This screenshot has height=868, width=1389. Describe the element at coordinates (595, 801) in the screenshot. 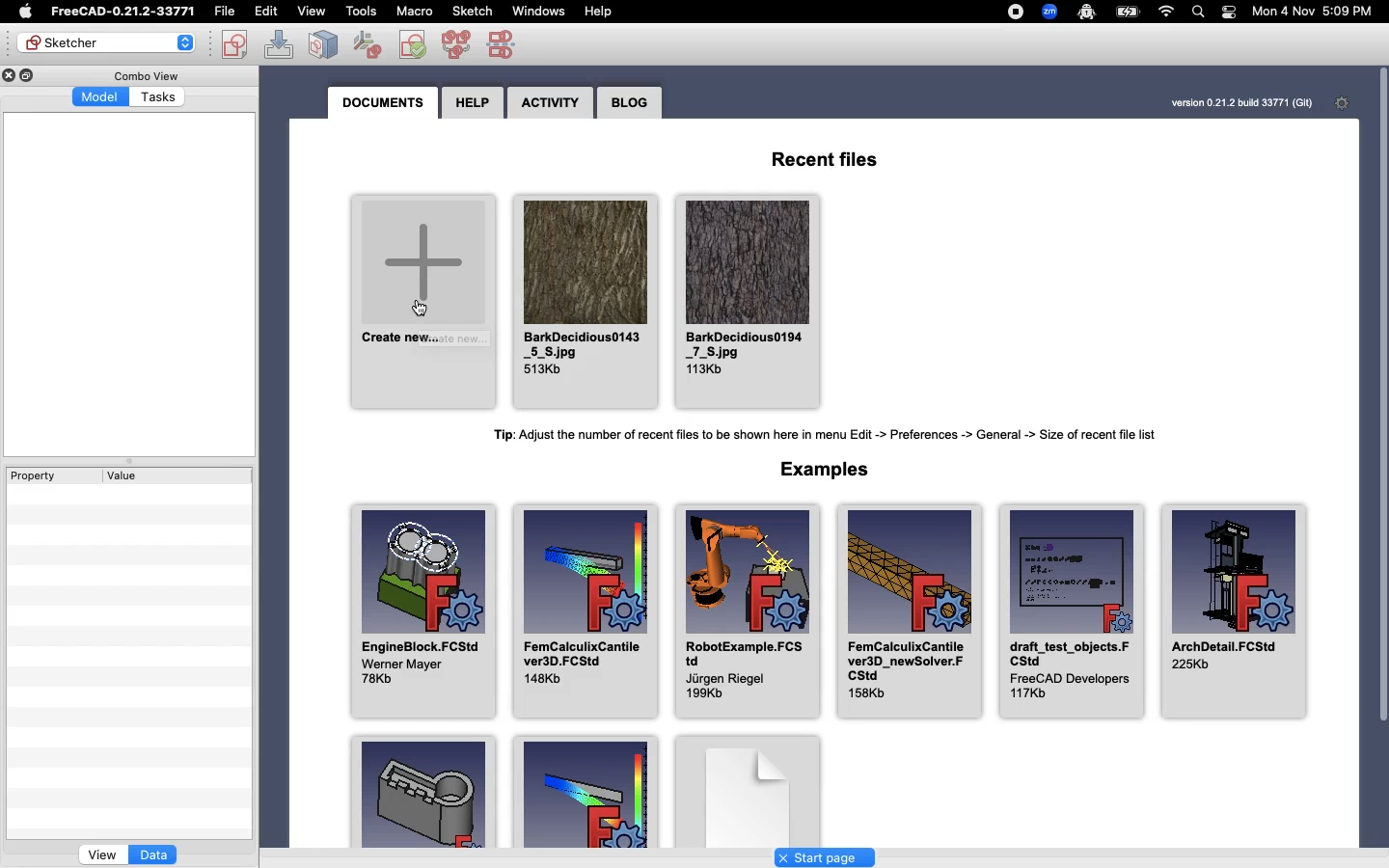

I see `Example 8` at that location.